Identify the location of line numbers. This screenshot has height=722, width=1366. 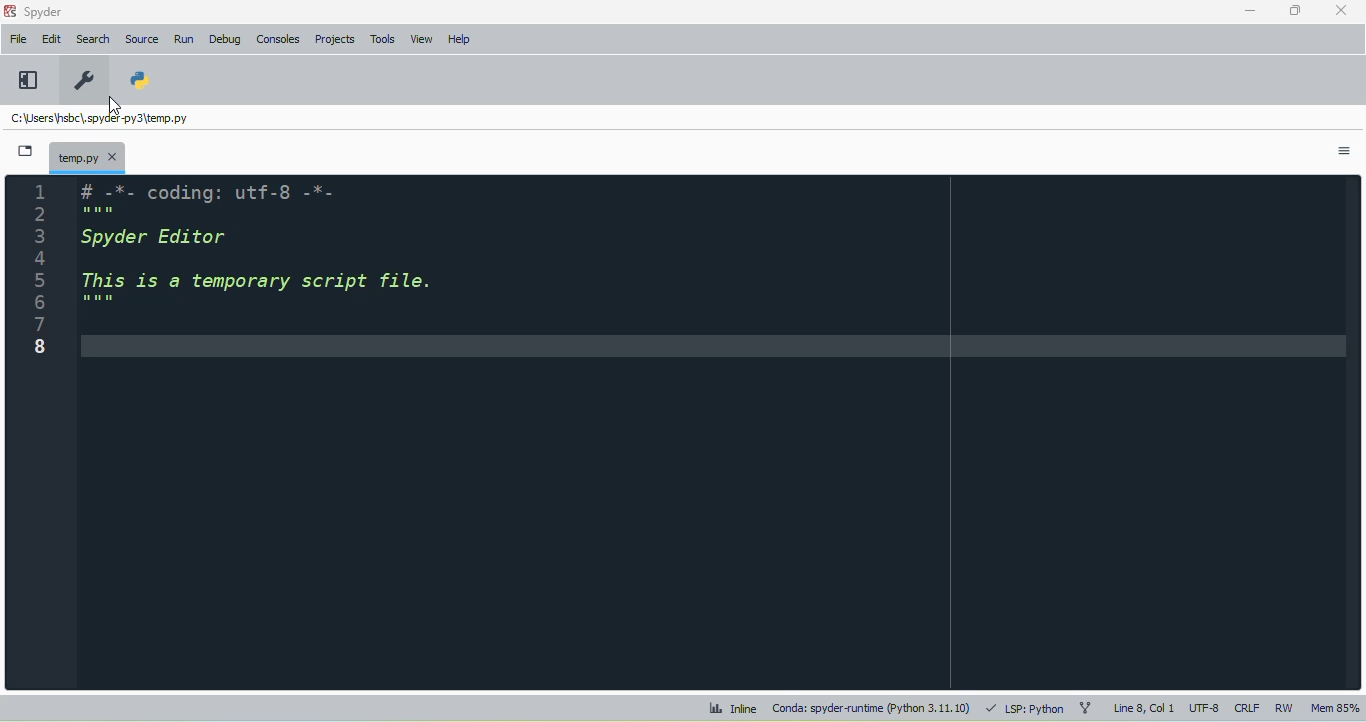
(39, 268).